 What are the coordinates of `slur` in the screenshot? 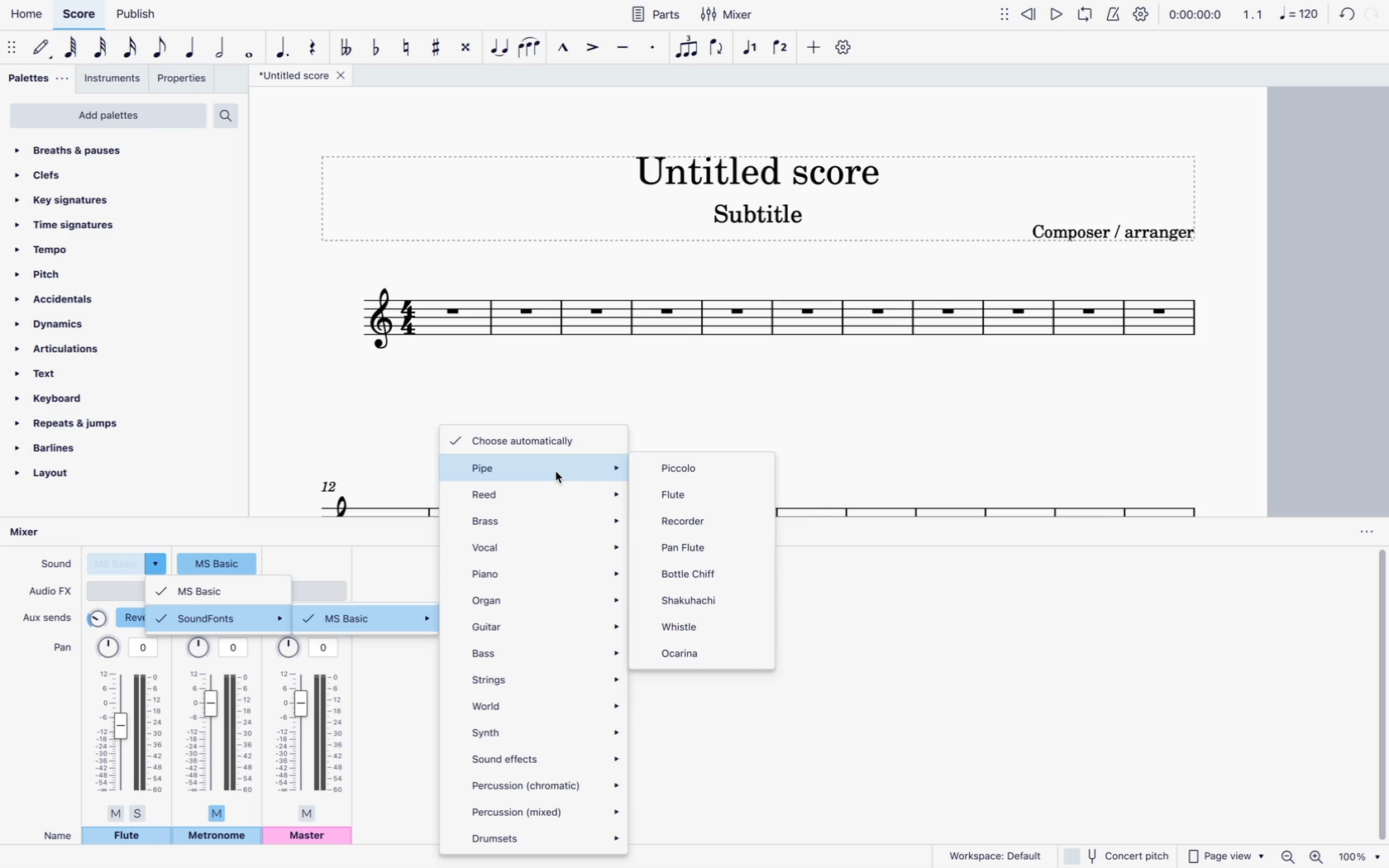 It's located at (531, 46).